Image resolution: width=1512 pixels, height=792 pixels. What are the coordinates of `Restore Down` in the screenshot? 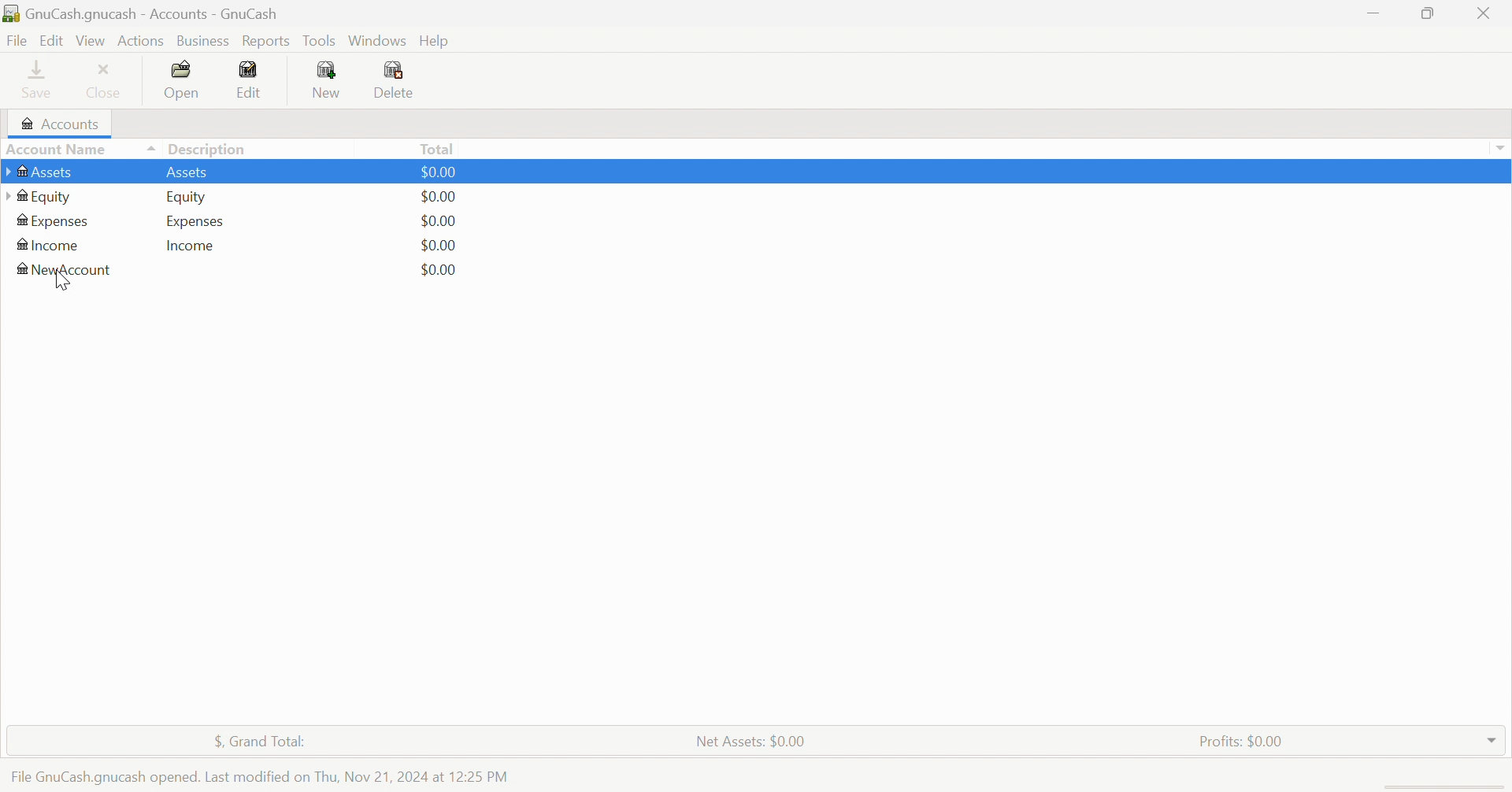 It's located at (1425, 13).